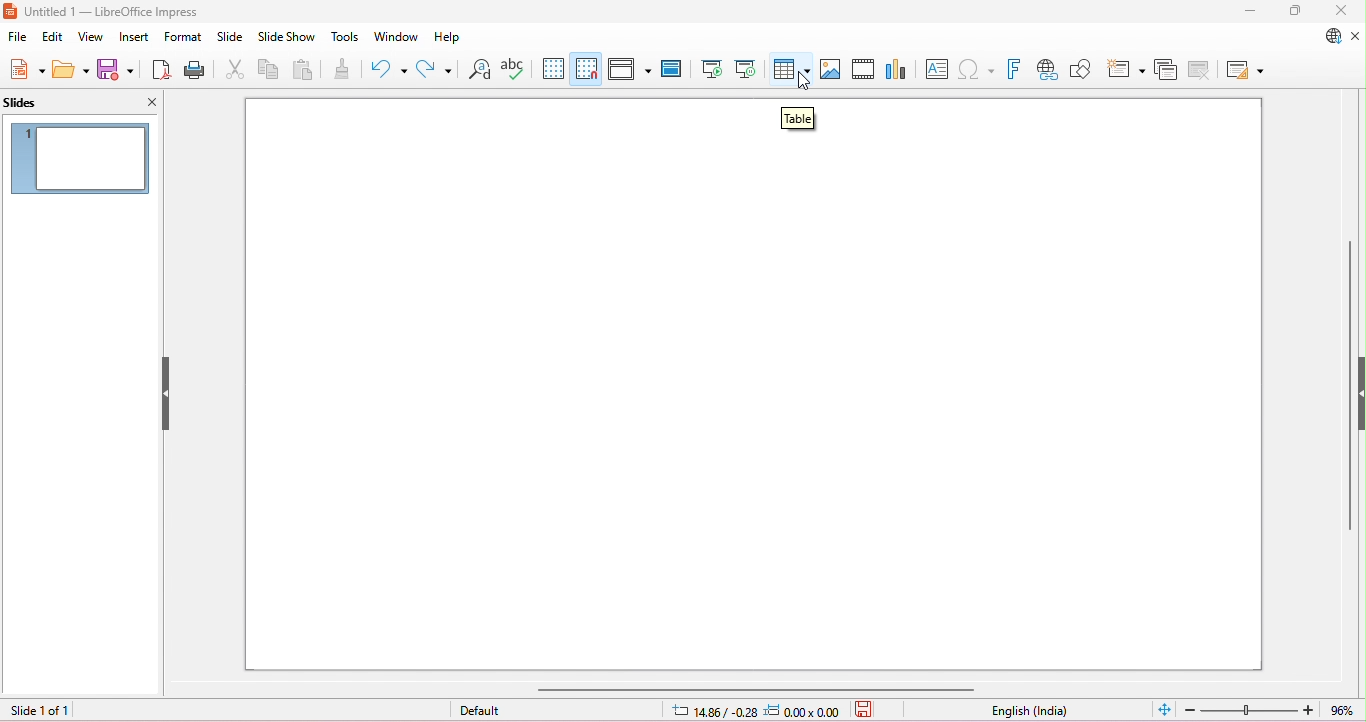 The image size is (1366, 722). Describe the element at coordinates (832, 70) in the screenshot. I see `insert image` at that location.